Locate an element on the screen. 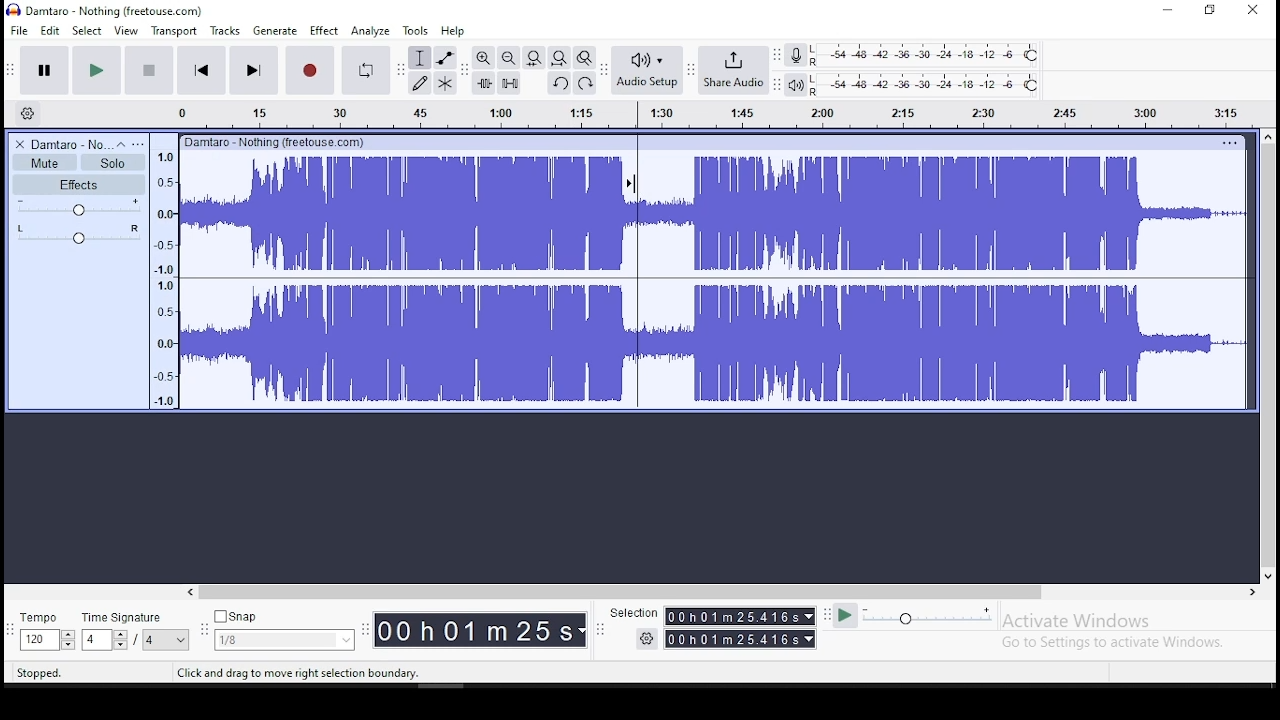 Image resolution: width=1280 pixels, height=720 pixels. file is located at coordinates (20, 29).